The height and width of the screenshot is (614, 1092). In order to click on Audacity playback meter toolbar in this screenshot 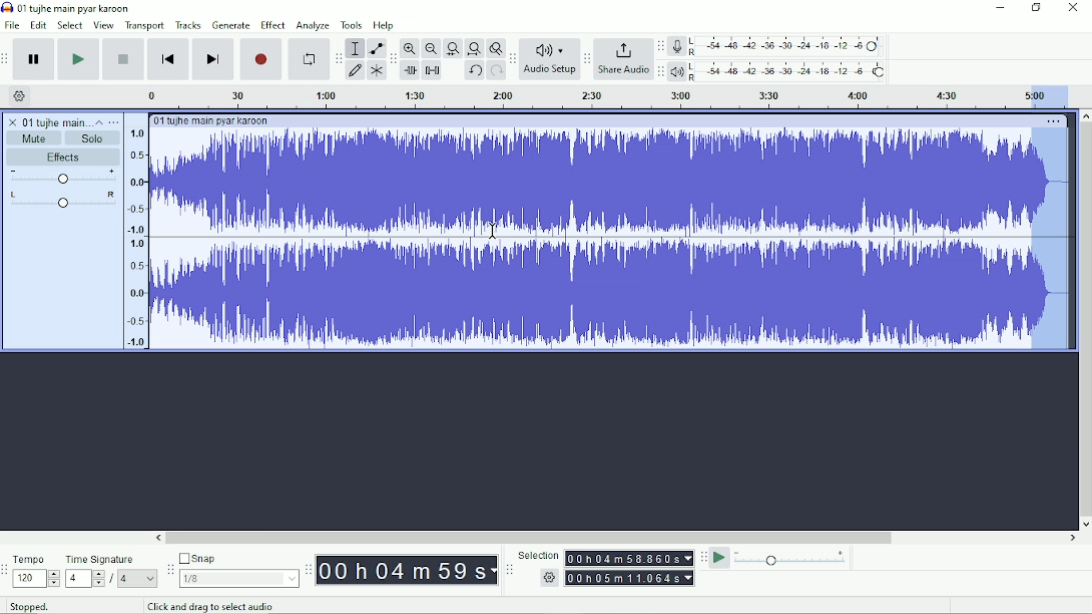, I will do `click(662, 71)`.